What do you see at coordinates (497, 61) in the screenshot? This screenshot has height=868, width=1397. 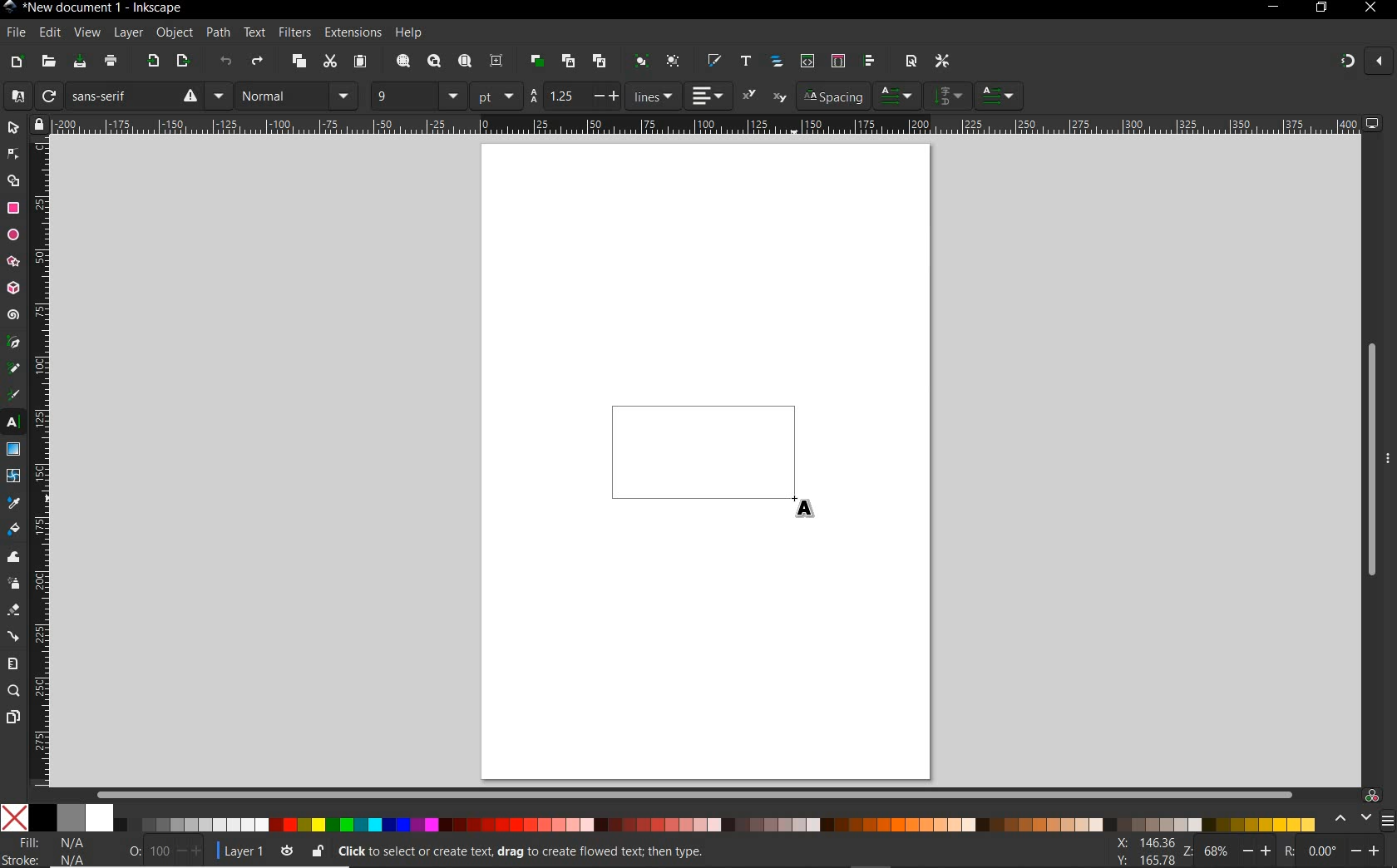 I see `zoom center page` at bounding box center [497, 61].